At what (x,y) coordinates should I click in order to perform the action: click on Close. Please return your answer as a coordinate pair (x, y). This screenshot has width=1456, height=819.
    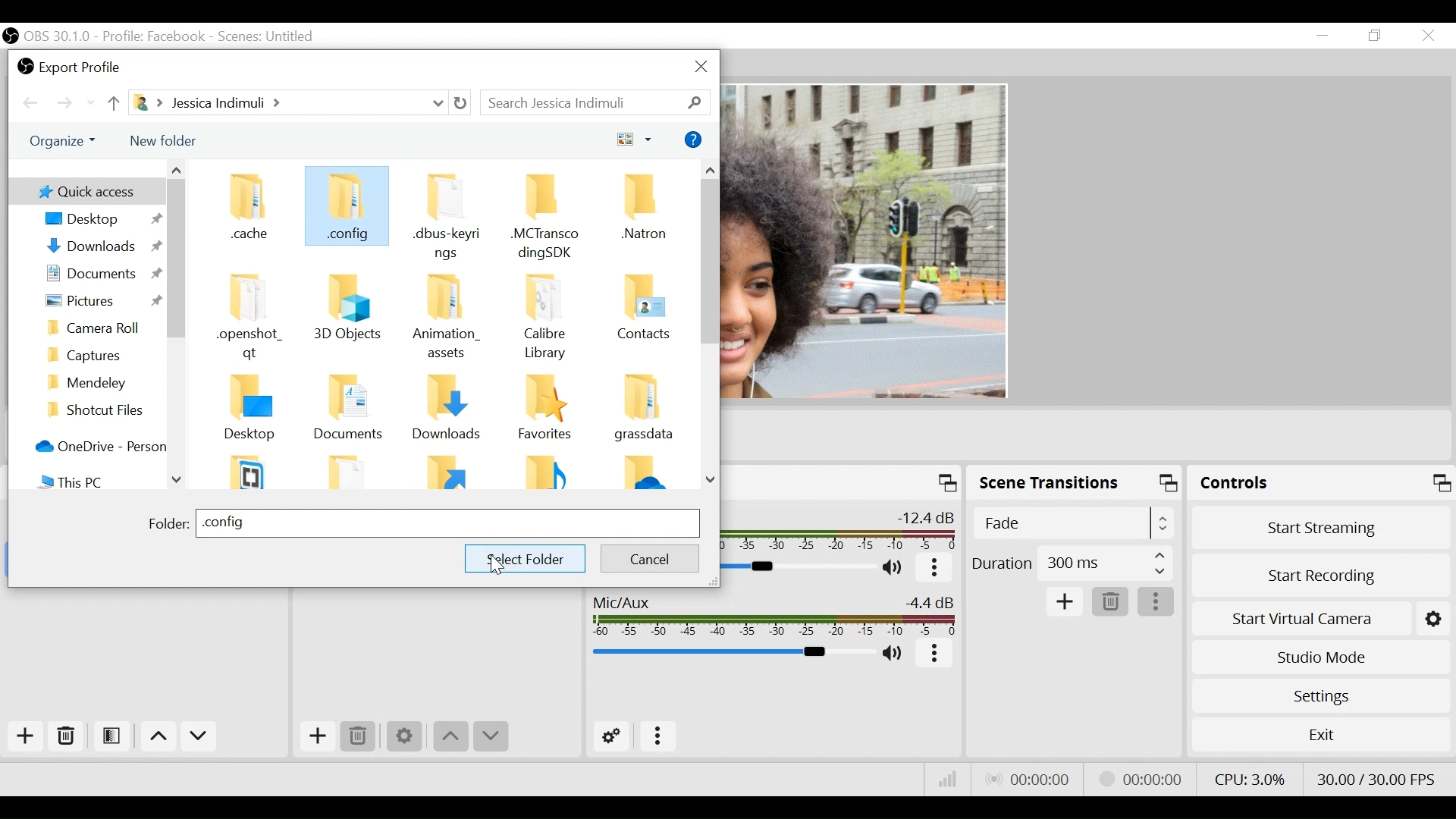
    Looking at the image, I should click on (1428, 35).